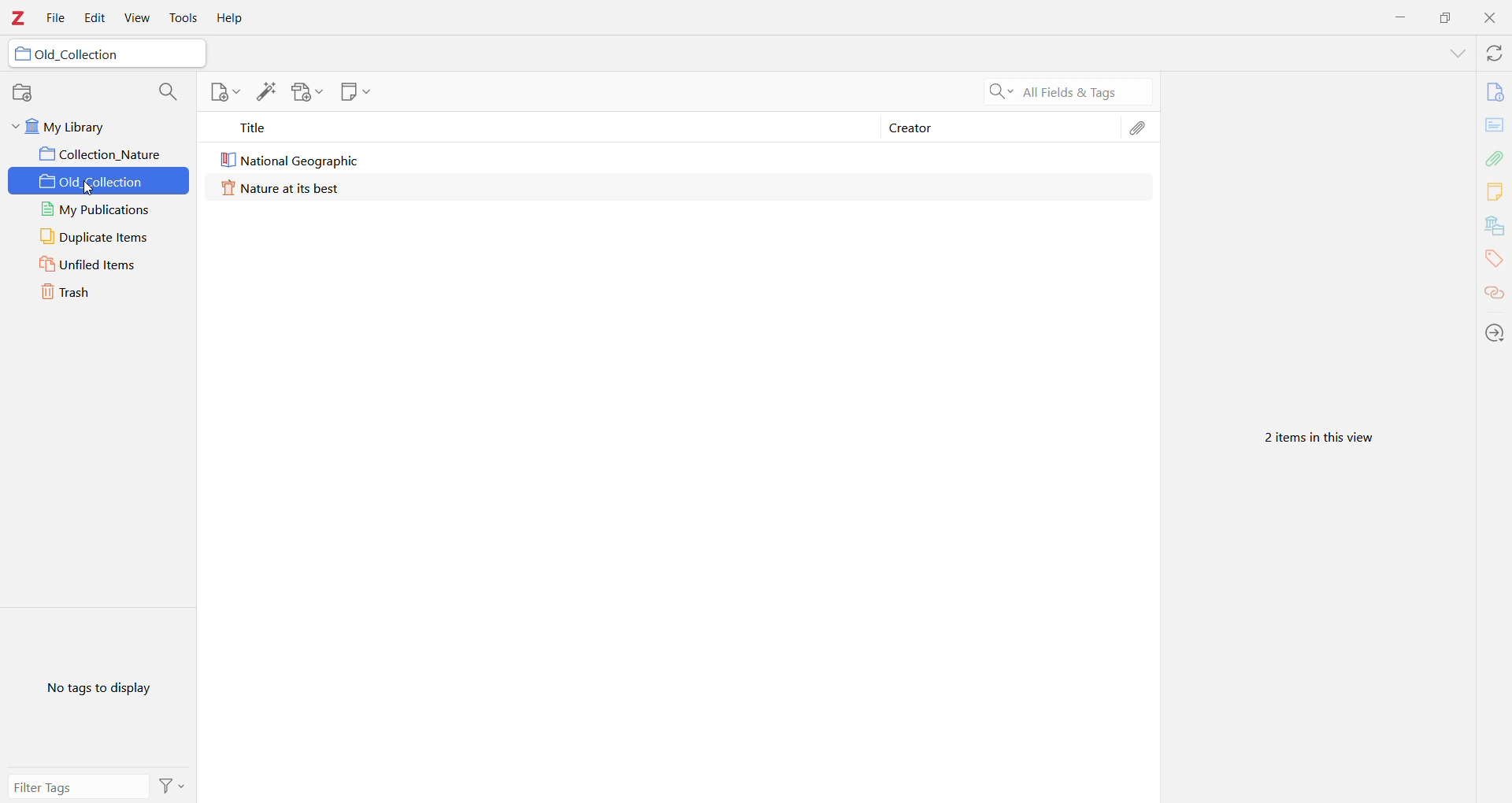  Describe the element at coordinates (172, 93) in the screenshot. I see `Filter Collections` at that location.